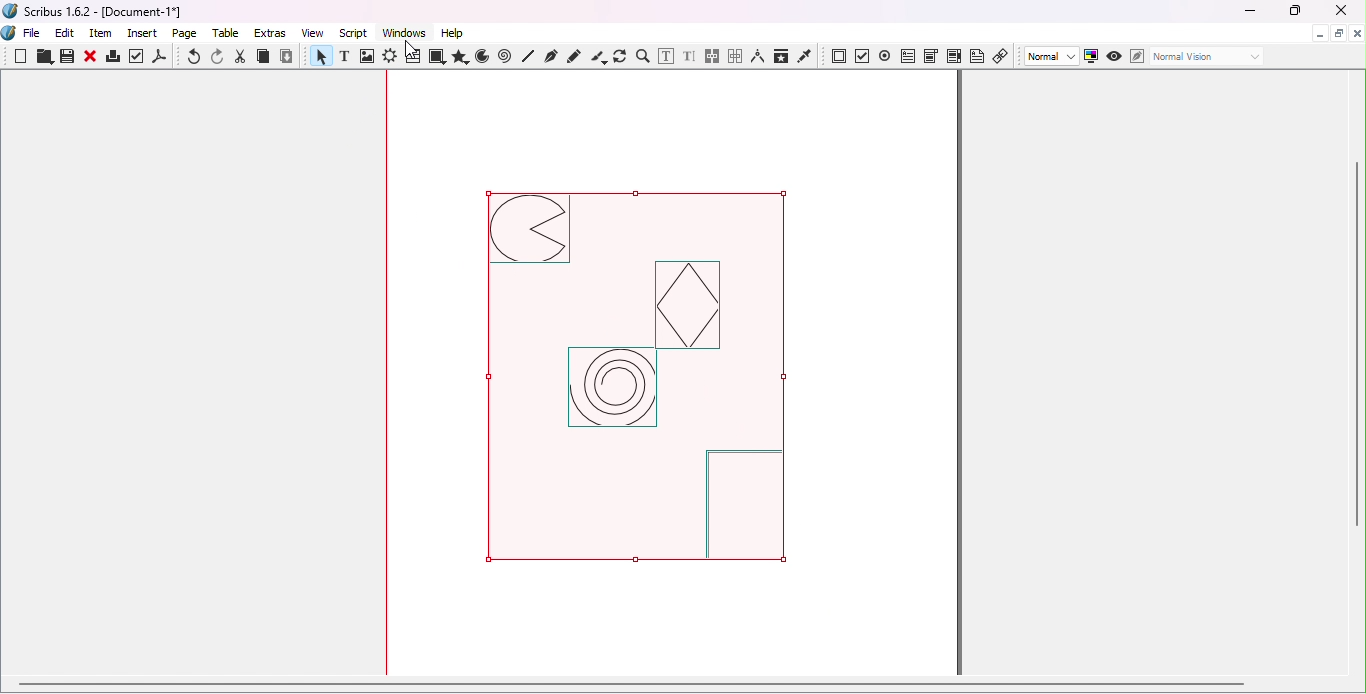 The height and width of the screenshot is (694, 1366). What do you see at coordinates (412, 57) in the screenshot?
I see `Table` at bounding box center [412, 57].